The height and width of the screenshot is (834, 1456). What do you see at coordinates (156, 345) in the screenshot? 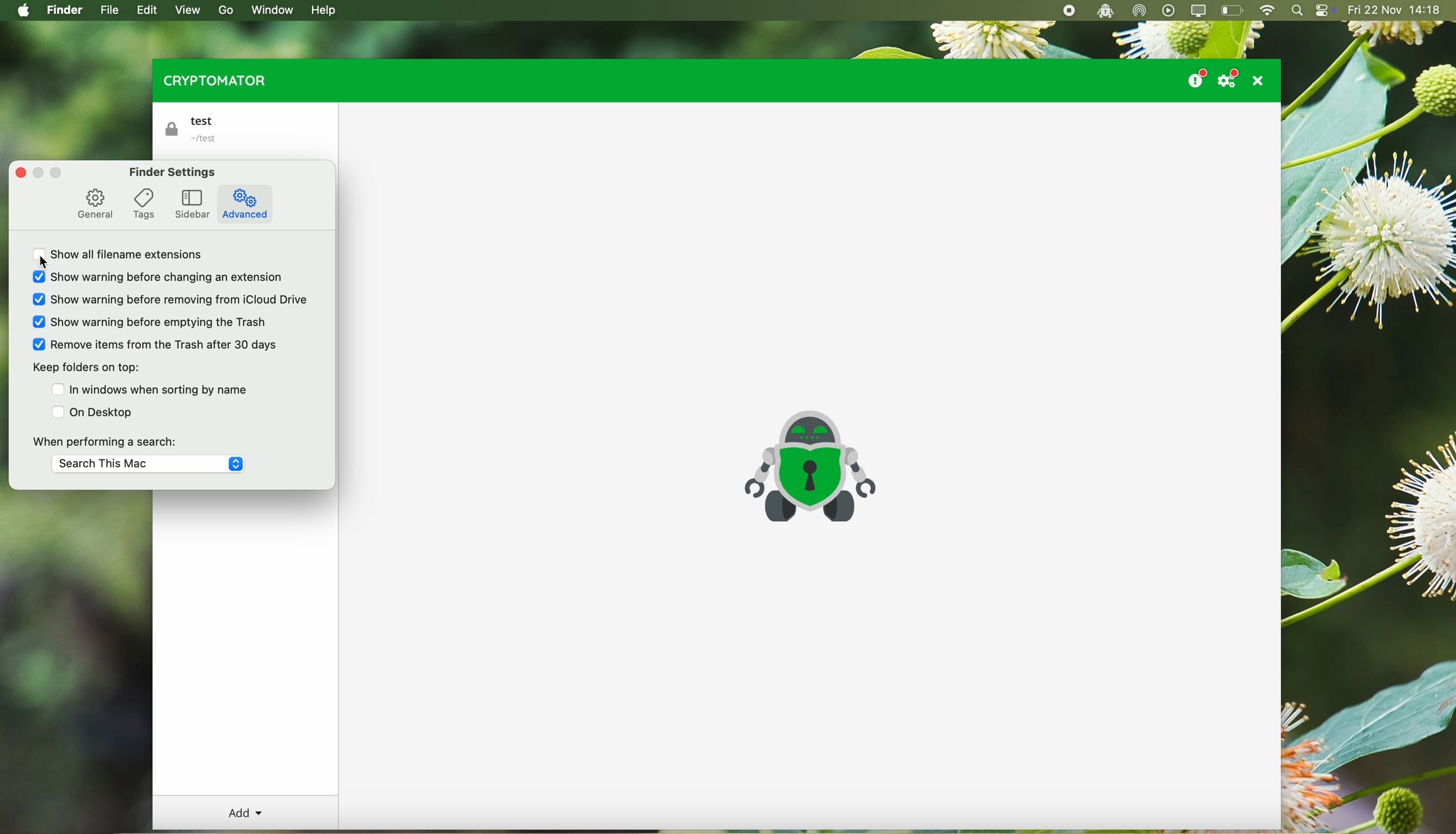
I see `Remove items from the Trash after 30 days` at bounding box center [156, 345].